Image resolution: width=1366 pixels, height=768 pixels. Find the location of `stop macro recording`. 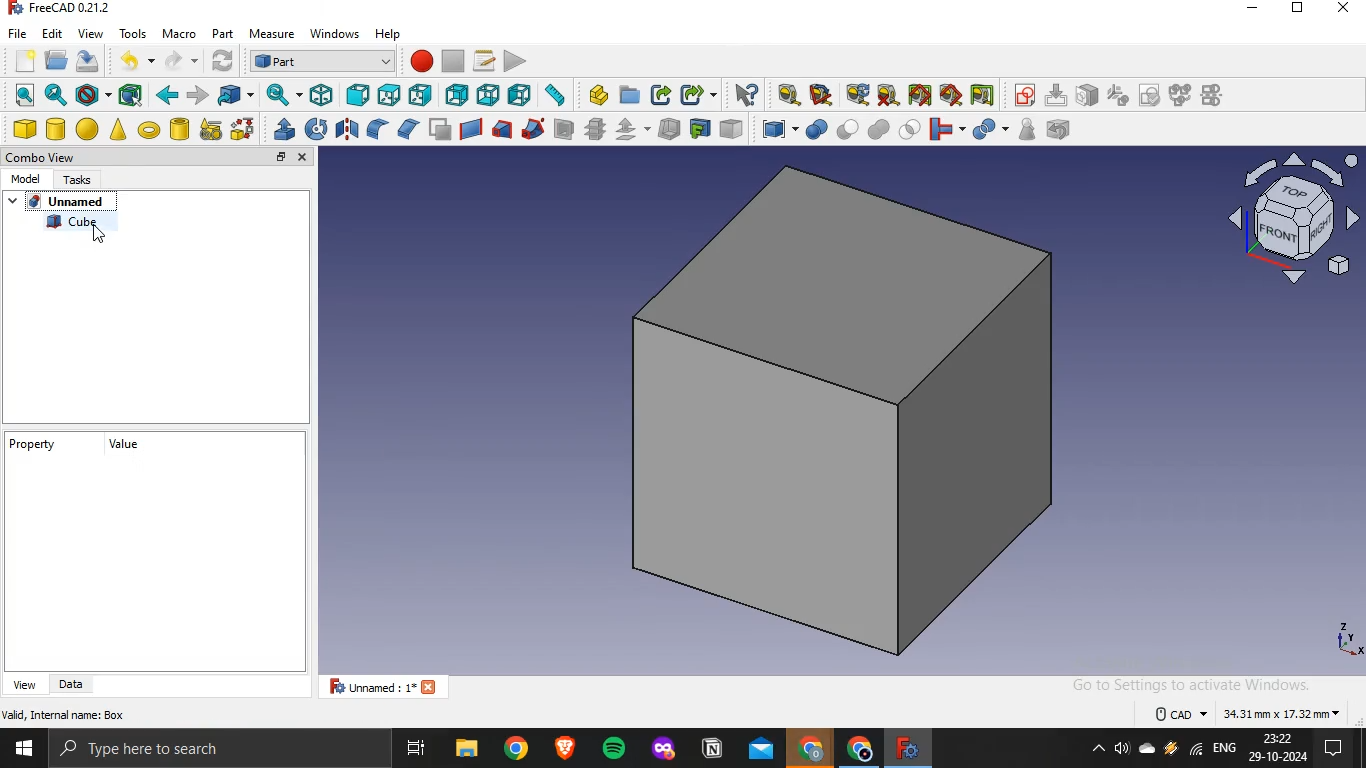

stop macro recording is located at coordinates (453, 61).